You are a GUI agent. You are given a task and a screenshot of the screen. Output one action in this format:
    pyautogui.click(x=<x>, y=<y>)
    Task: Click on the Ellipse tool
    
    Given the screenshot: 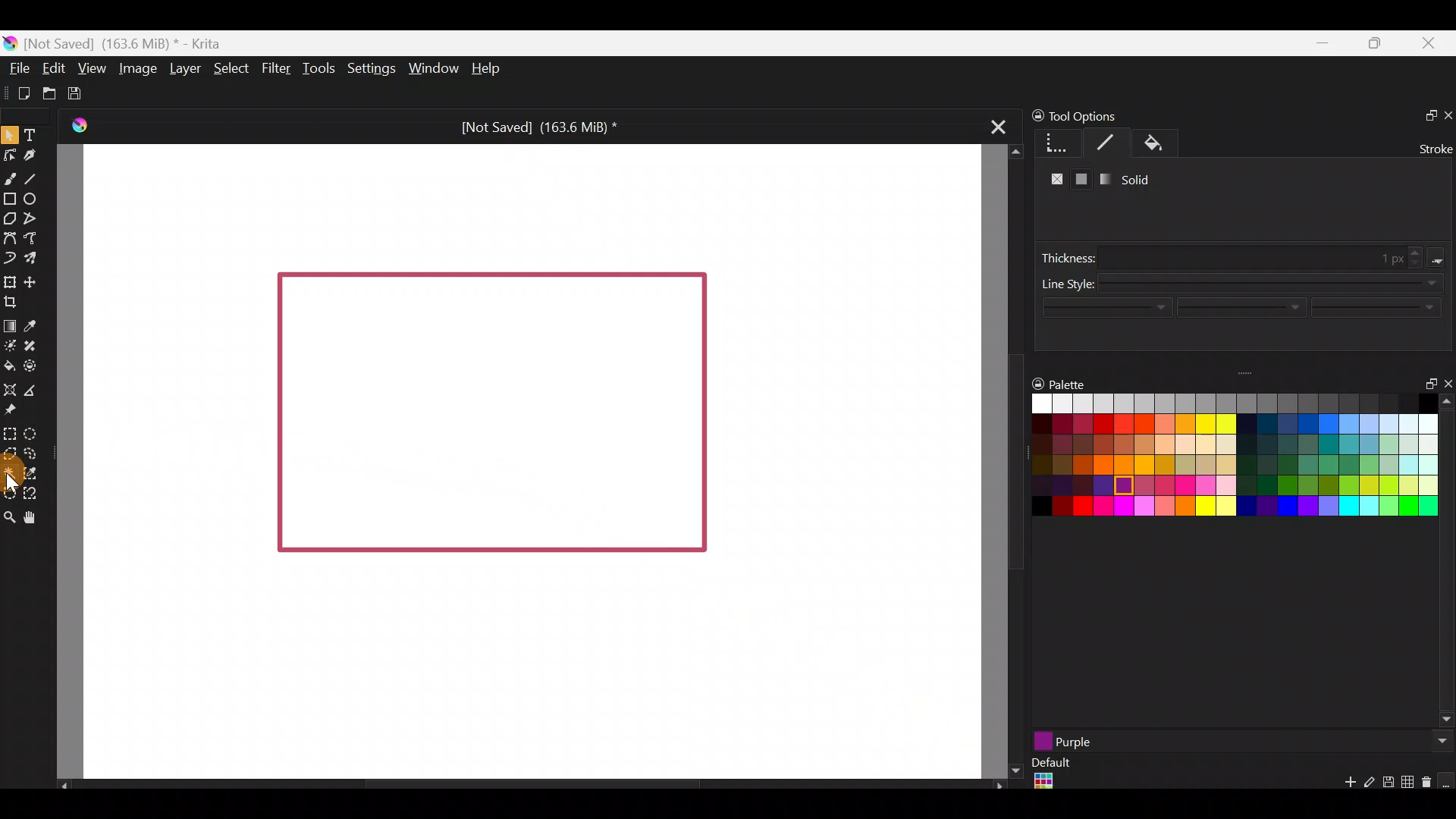 What is the action you would take?
    pyautogui.click(x=36, y=198)
    